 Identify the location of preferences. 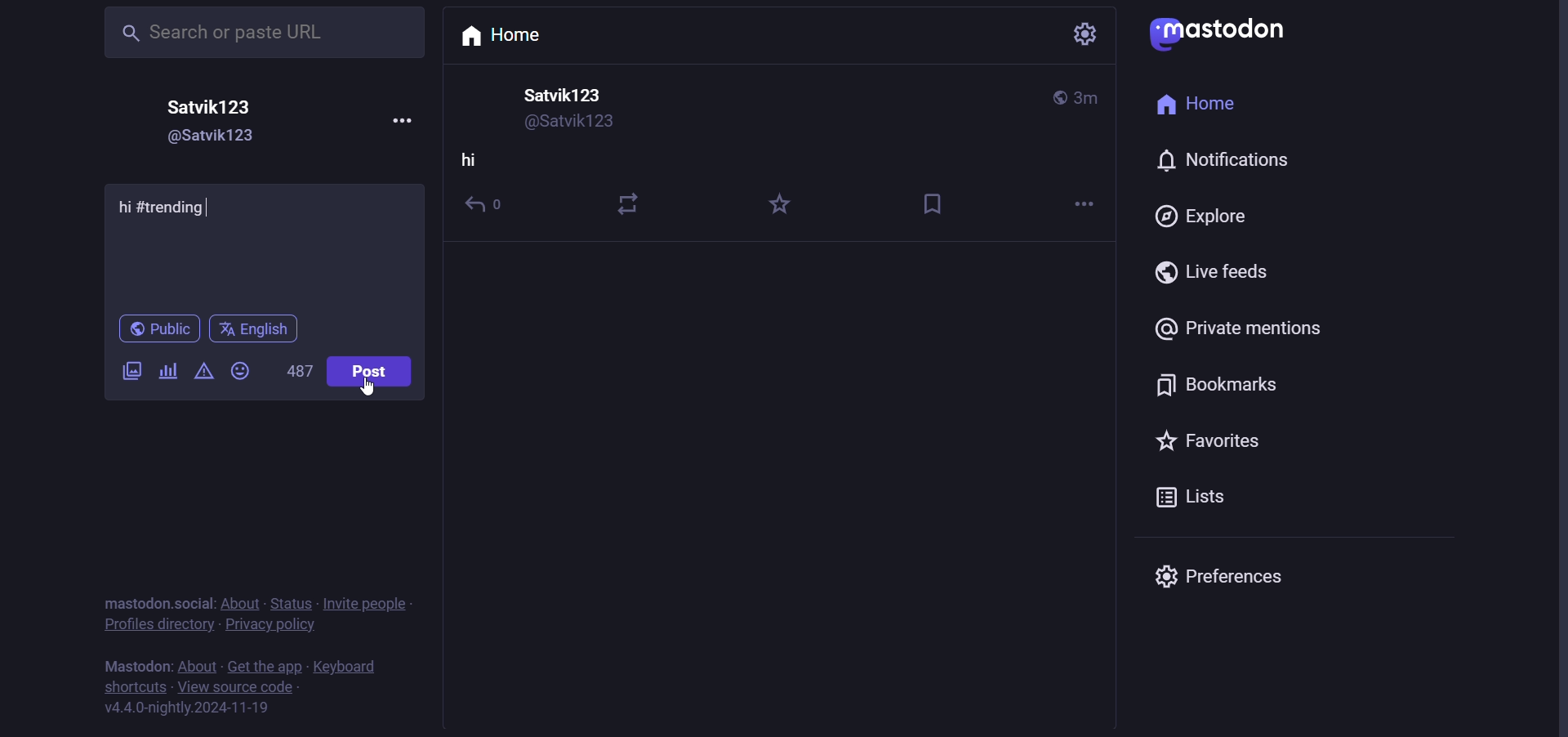
(1219, 573).